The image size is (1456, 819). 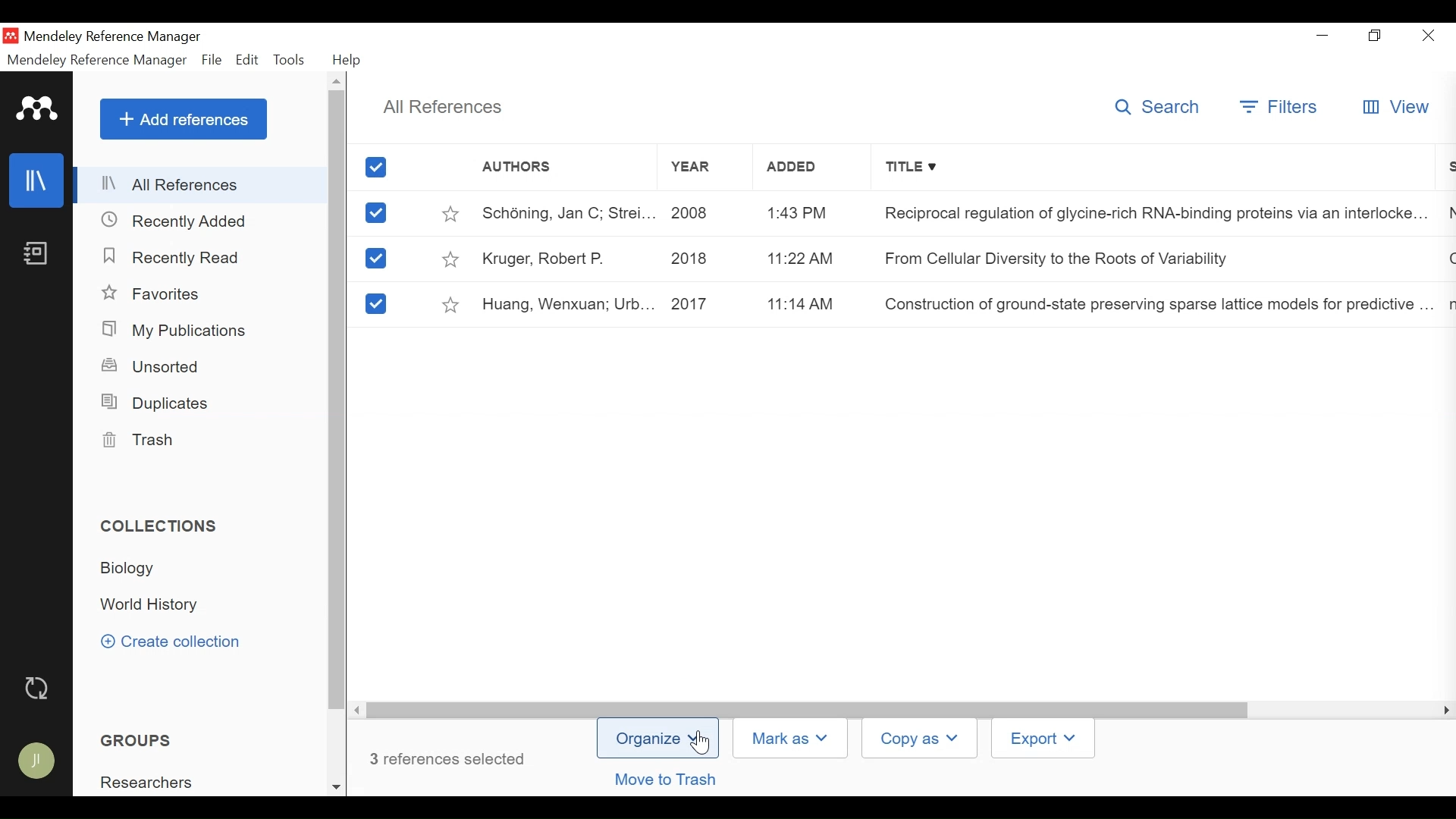 What do you see at coordinates (378, 168) in the screenshot?
I see `(un)Select all` at bounding box center [378, 168].